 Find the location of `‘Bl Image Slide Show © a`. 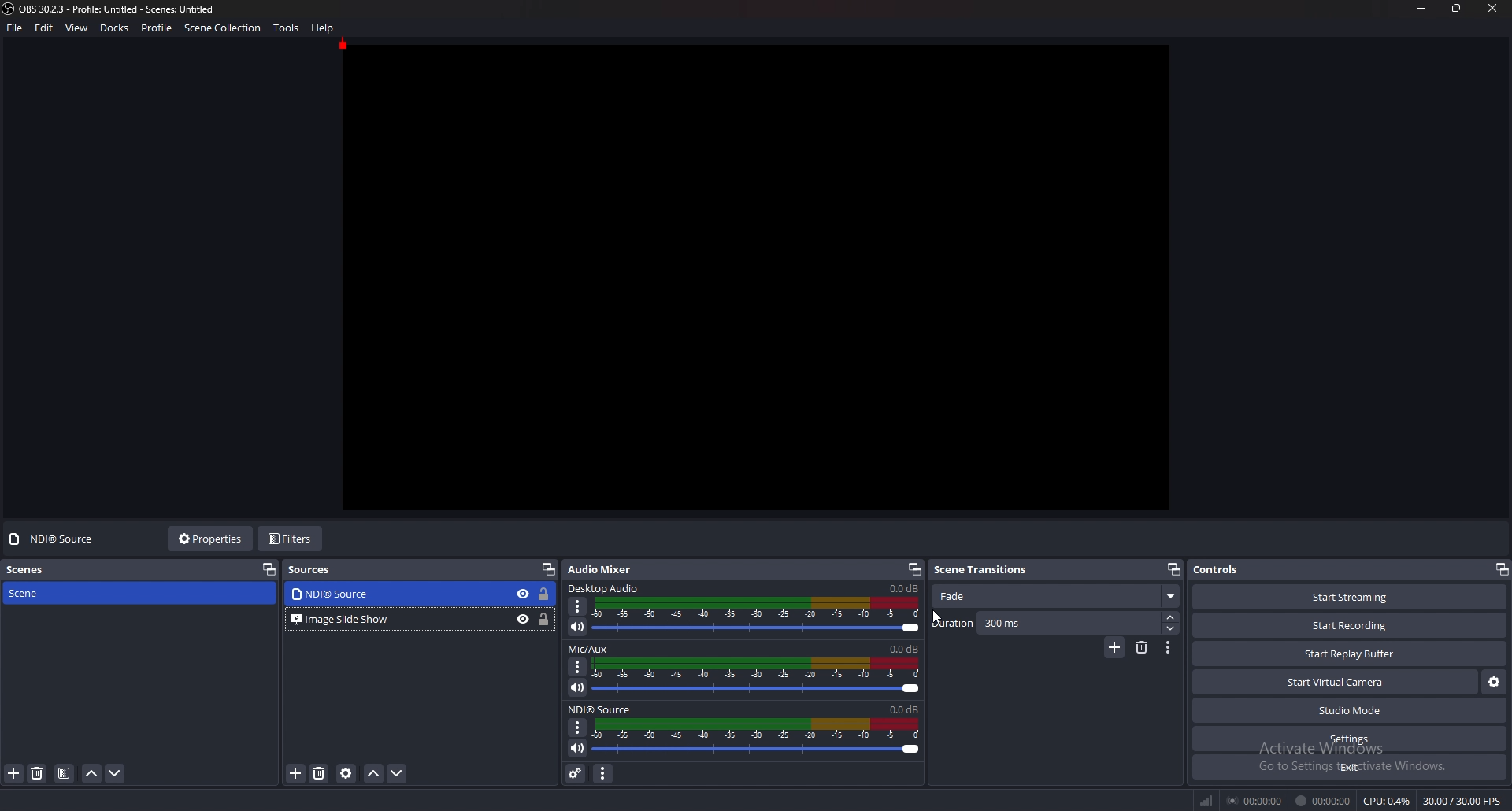

‘Bl Image Slide Show © a is located at coordinates (414, 621).